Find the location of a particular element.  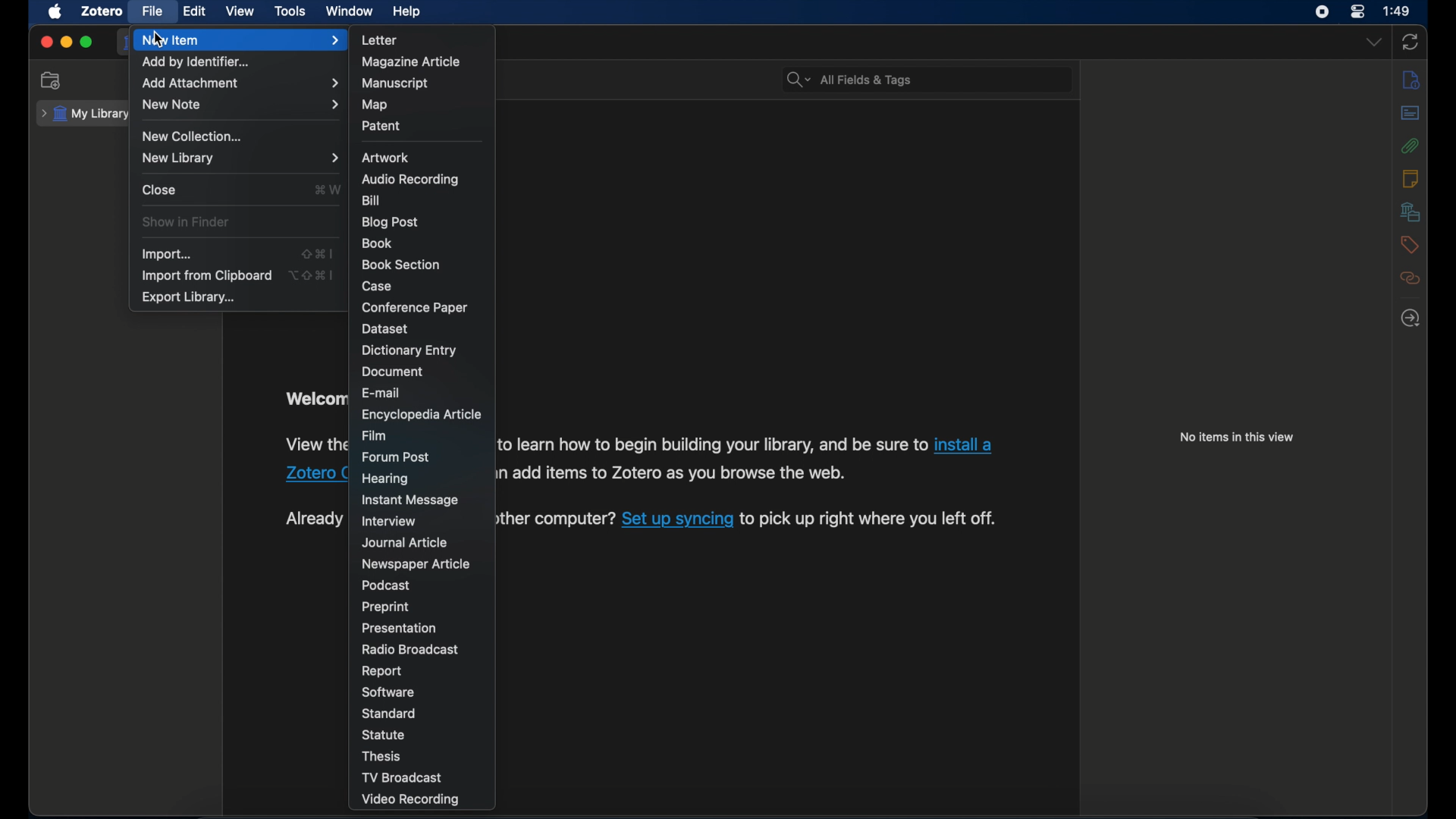

tools is located at coordinates (291, 11).